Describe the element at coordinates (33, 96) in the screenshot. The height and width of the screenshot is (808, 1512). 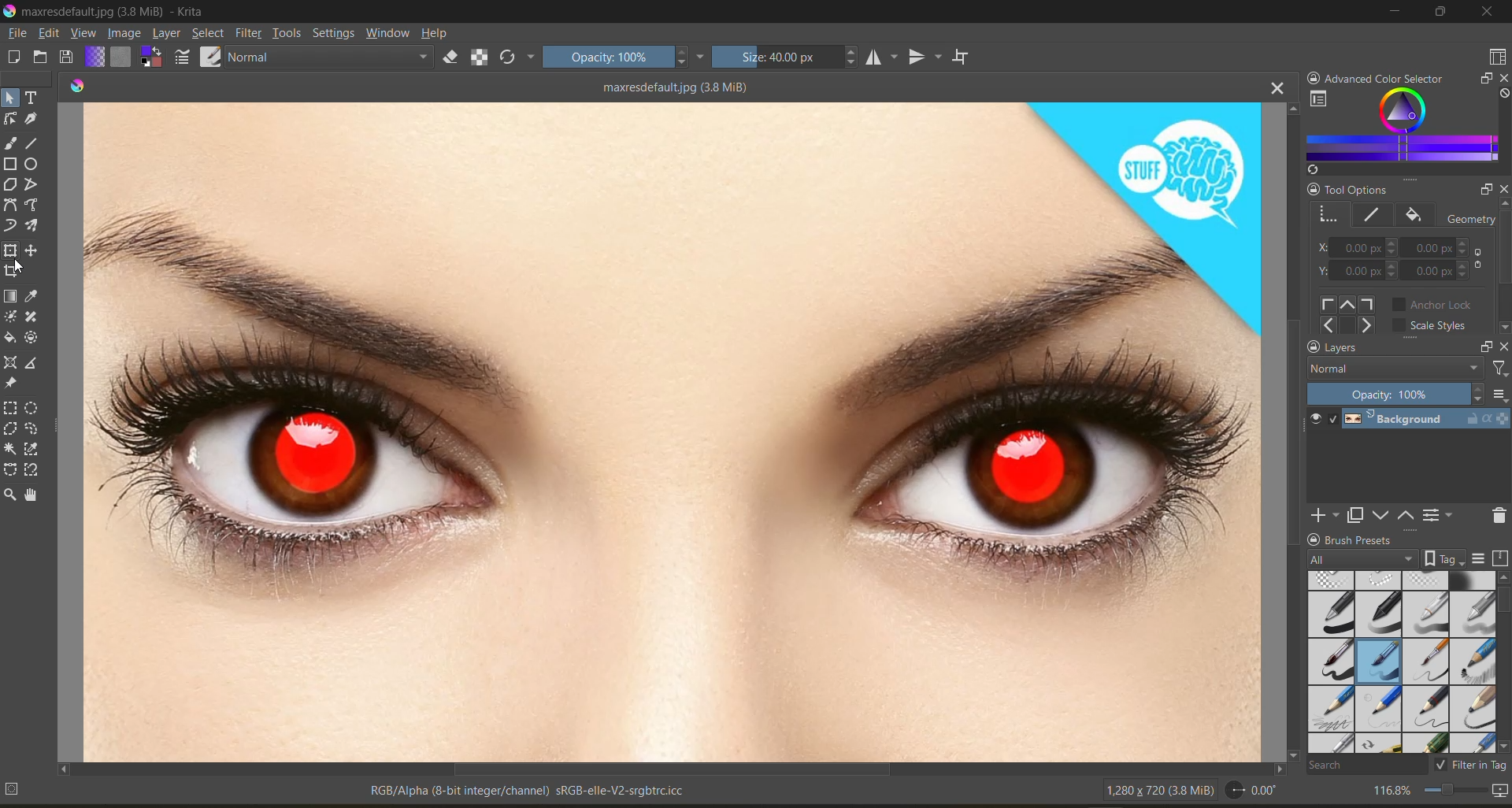
I see `tool` at that location.